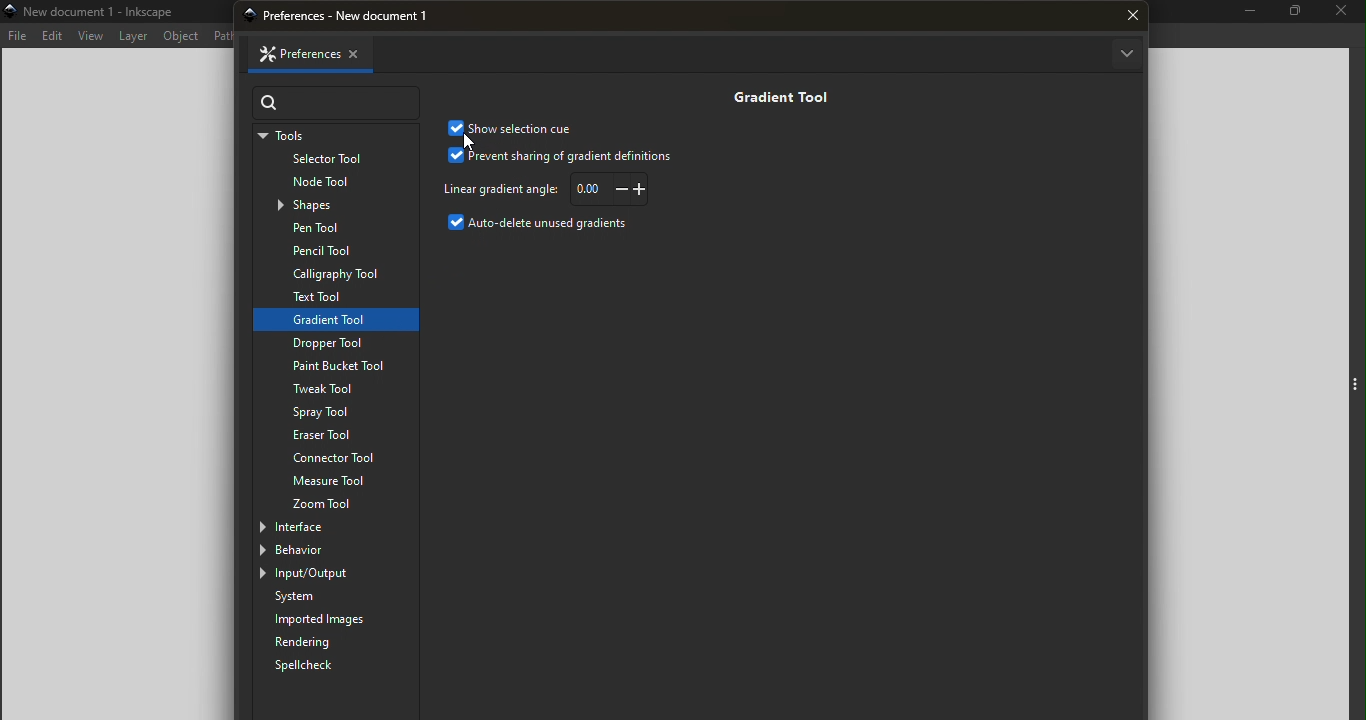  I want to click on Node, so click(339, 183).